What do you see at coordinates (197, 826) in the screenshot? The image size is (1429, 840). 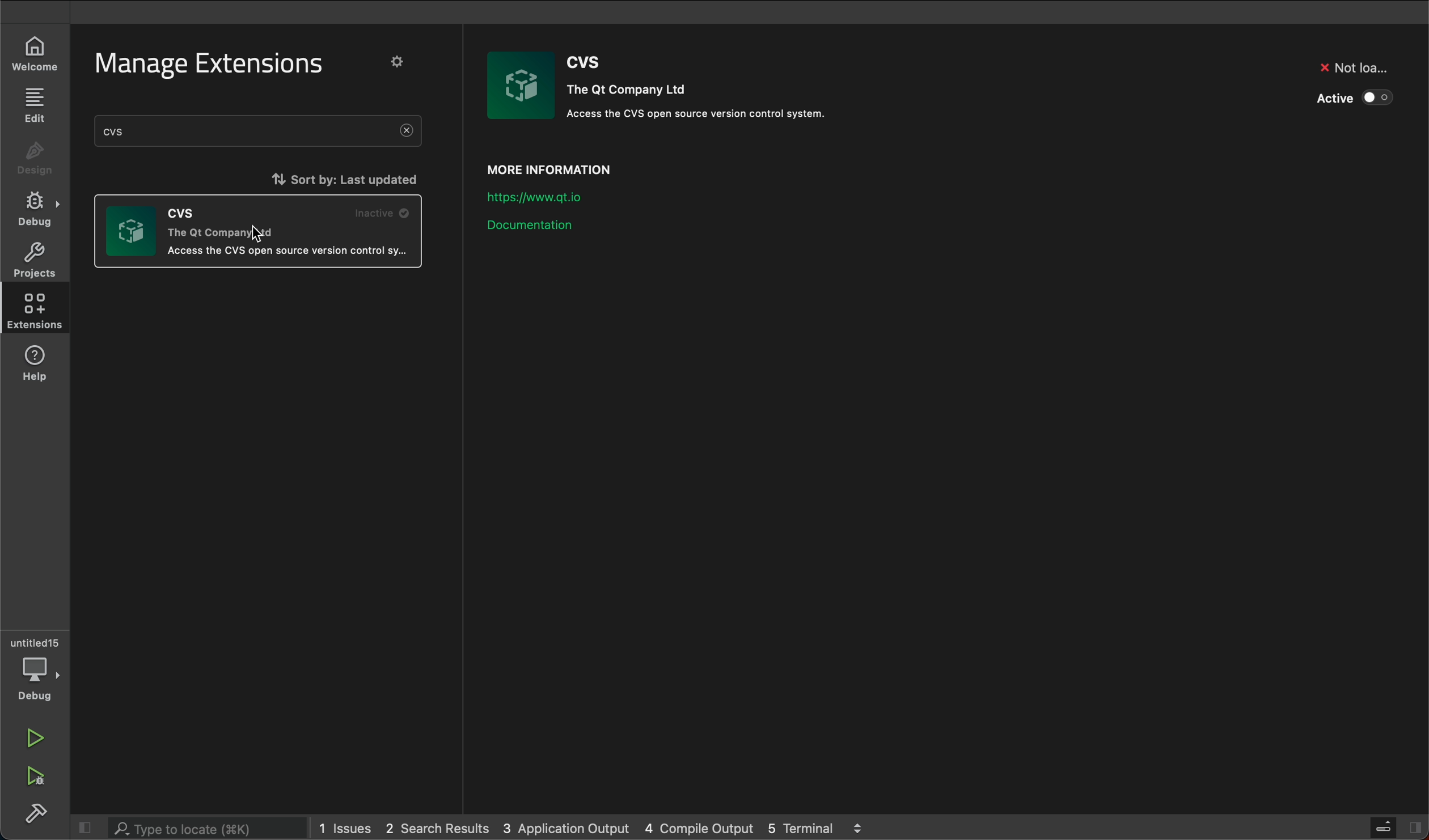 I see `search` at bounding box center [197, 826].